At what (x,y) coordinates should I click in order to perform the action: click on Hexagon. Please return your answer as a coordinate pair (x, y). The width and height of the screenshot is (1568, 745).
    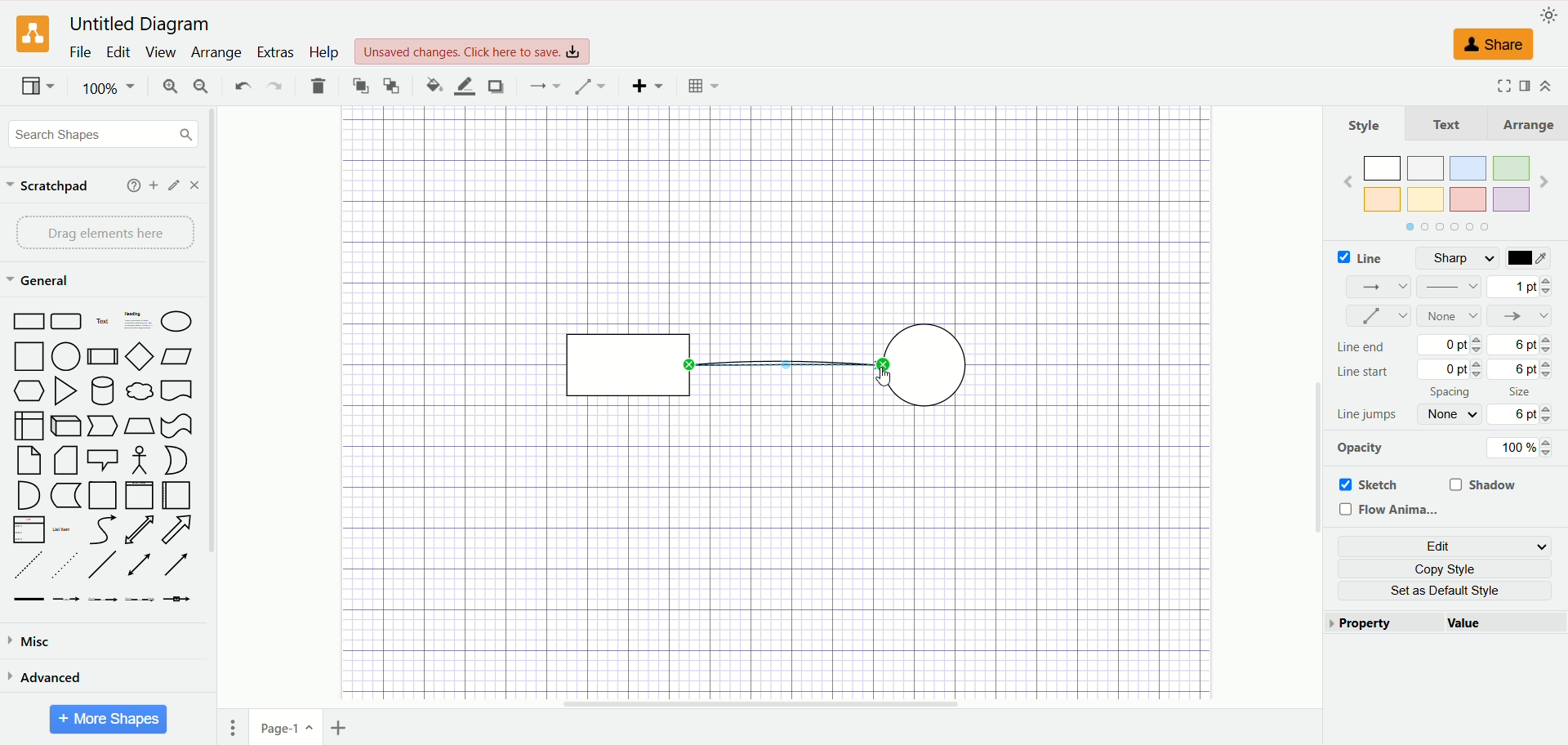
    Looking at the image, I should click on (29, 392).